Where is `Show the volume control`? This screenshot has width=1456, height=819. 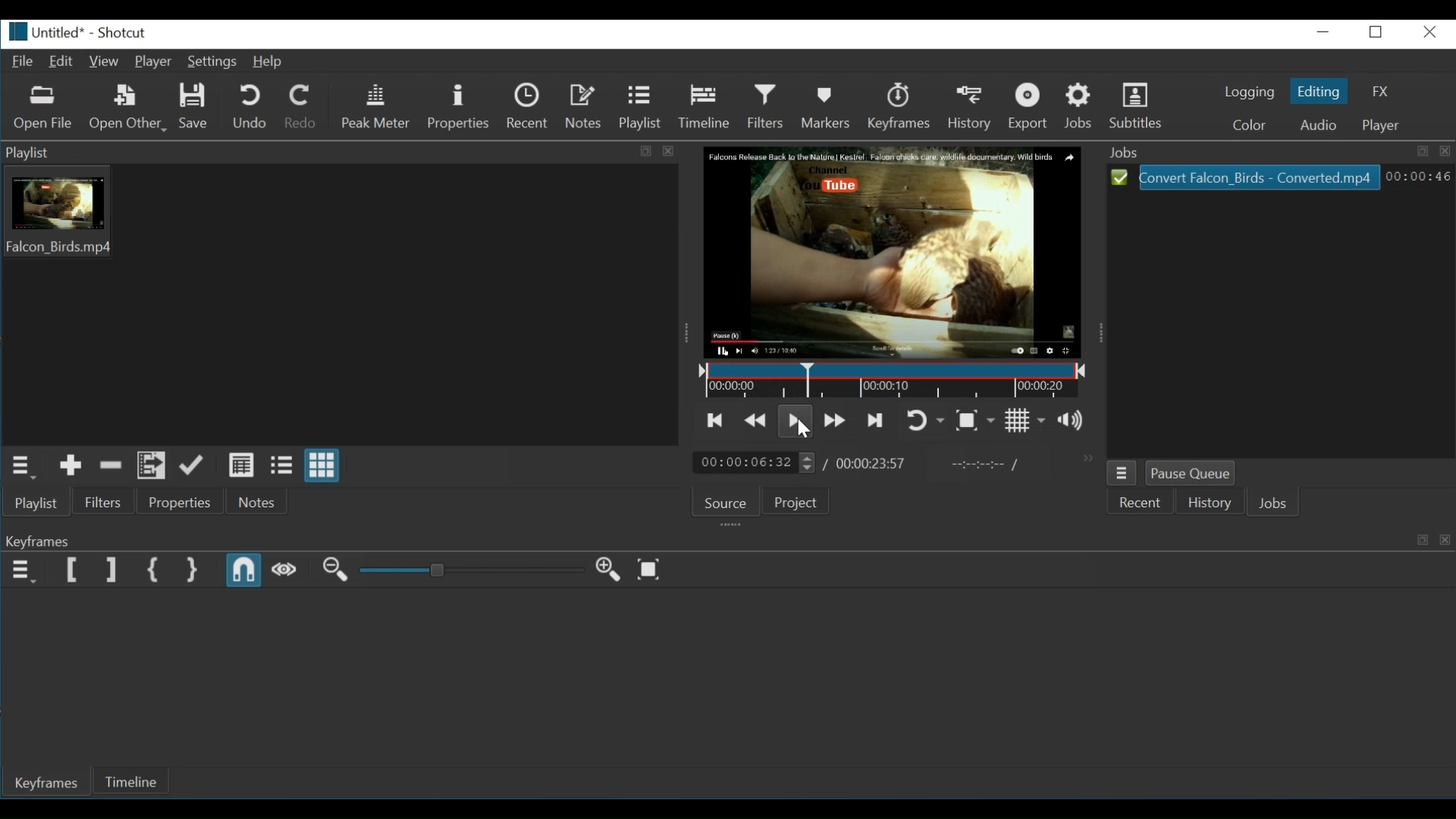 Show the volume control is located at coordinates (1072, 419).